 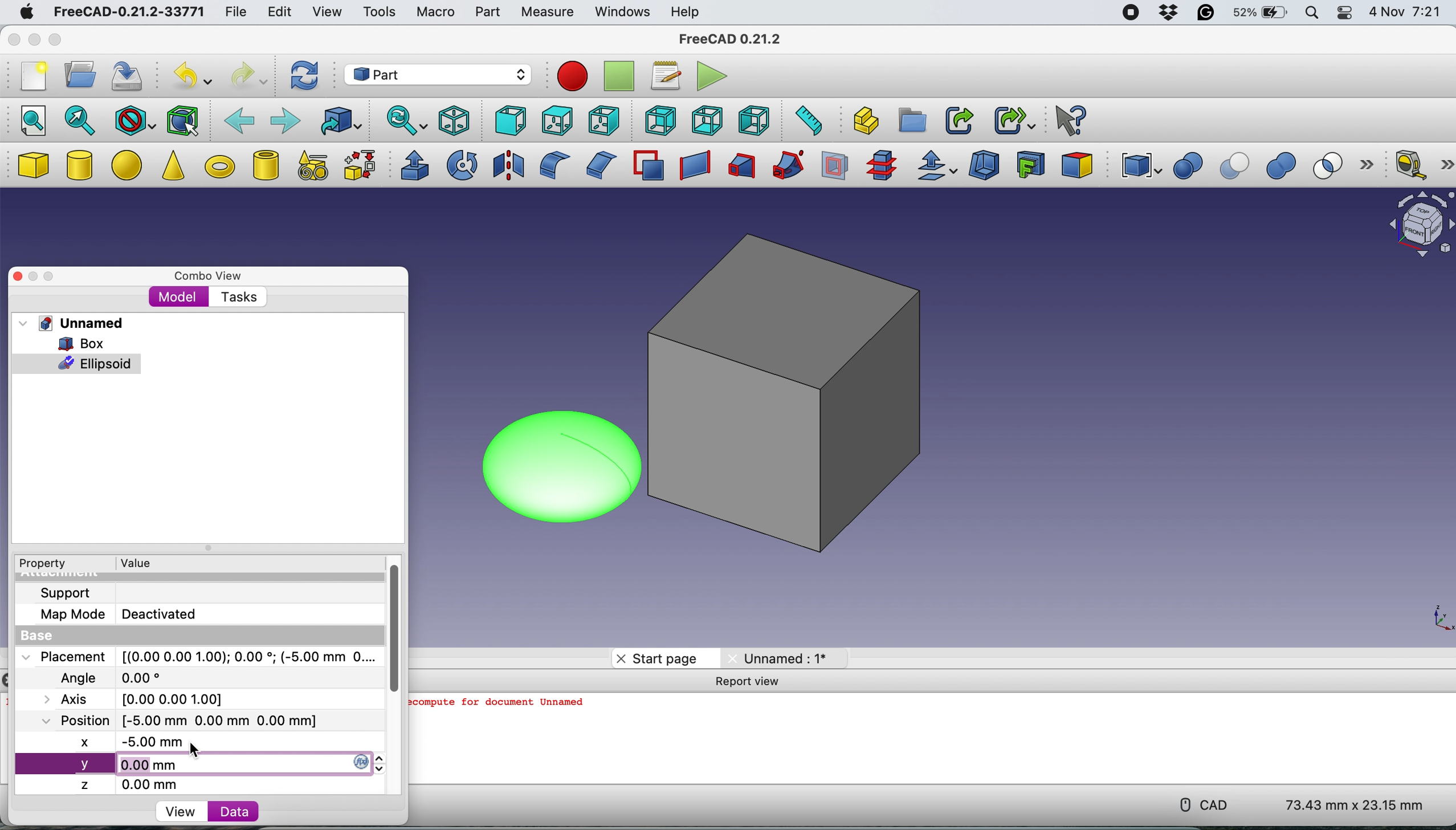 What do you see at coordinates (1078, 164) in the screenshot?
I see `color per face` at bounding box center [1078, 164].